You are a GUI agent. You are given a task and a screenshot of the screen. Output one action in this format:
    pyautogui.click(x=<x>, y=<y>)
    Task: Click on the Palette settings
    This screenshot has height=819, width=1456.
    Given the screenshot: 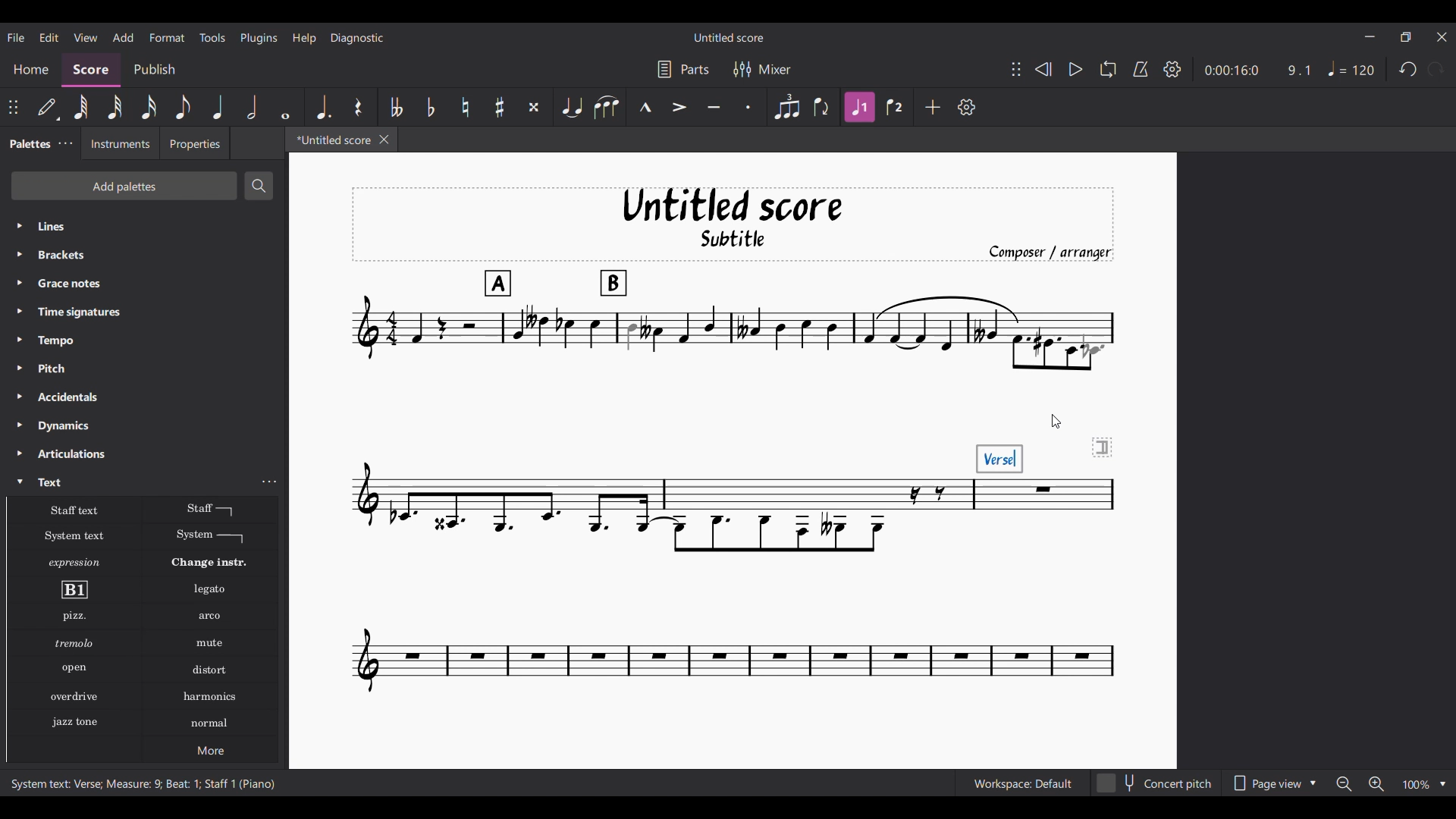 What is the action you would take?
    pyautogui.click(x=66, y=143)
    